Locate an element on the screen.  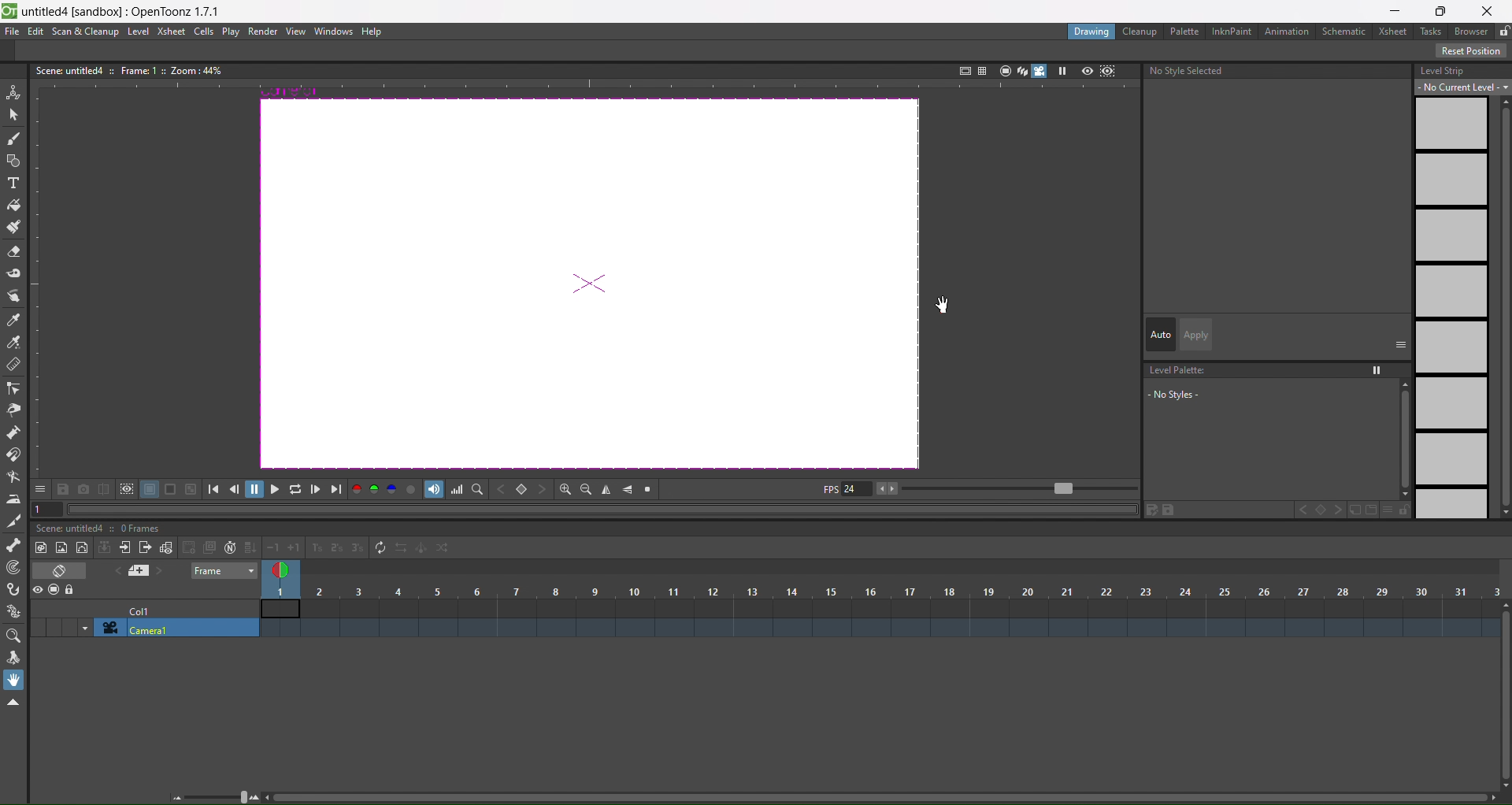
add new memo is located at coordinates (140, 572).